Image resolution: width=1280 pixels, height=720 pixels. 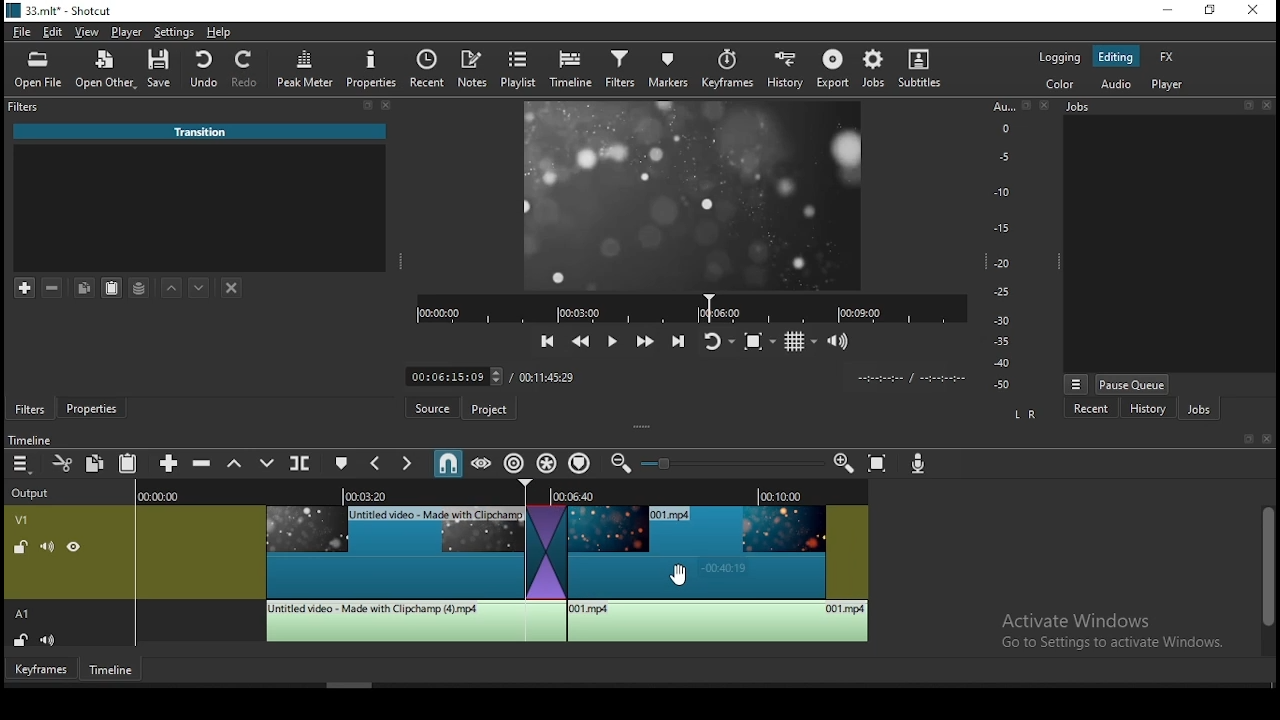 I want to click on snap, so click(x=449, y=462).